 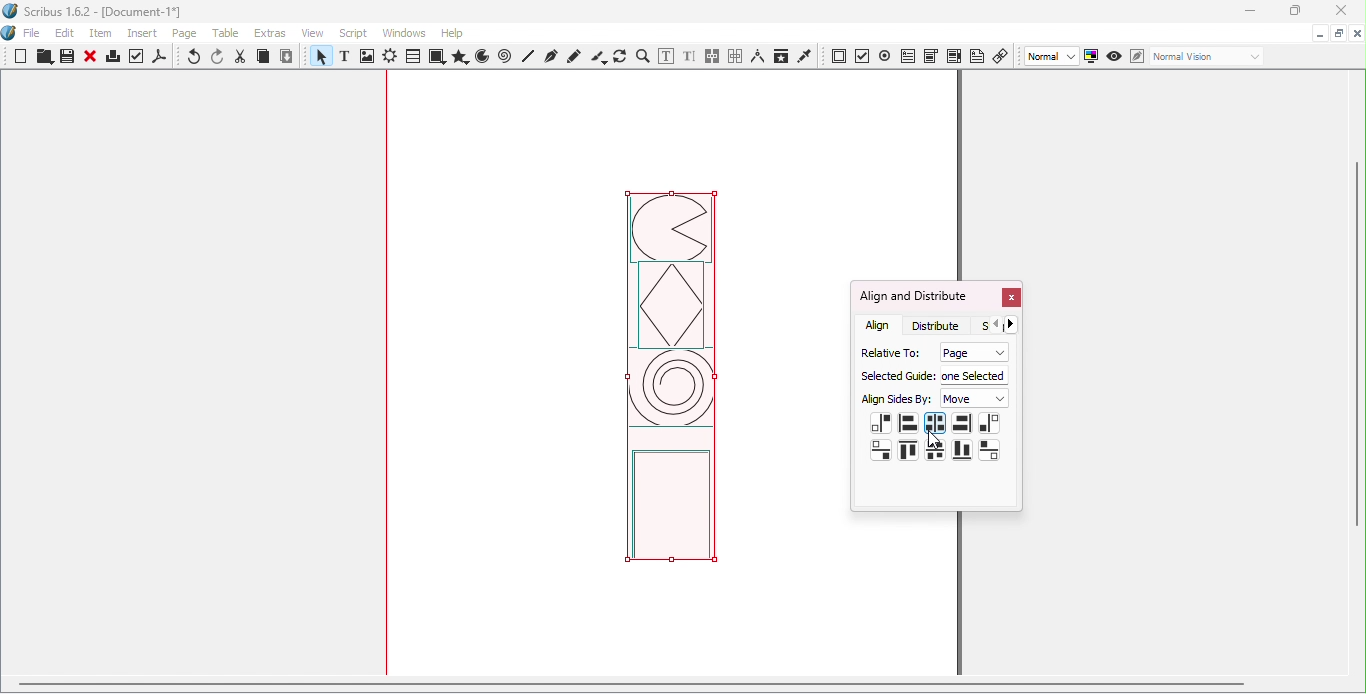 What do you see at coordinates (241, 57) in the screenshot?
I see `Cut` at bounding box center [241, 57].